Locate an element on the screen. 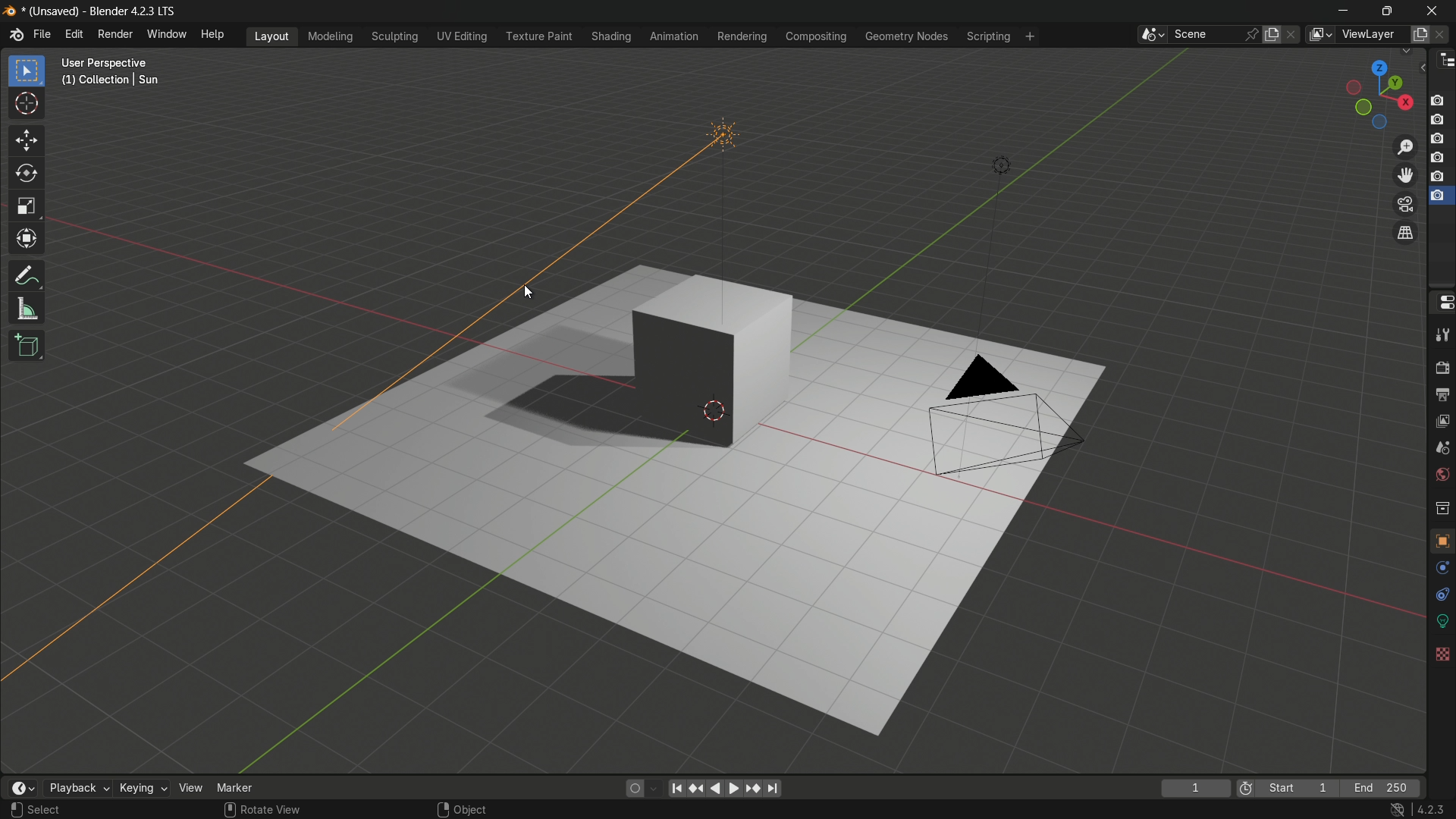 The image size is (1456, 819). window is located at coordinates (168, 36).